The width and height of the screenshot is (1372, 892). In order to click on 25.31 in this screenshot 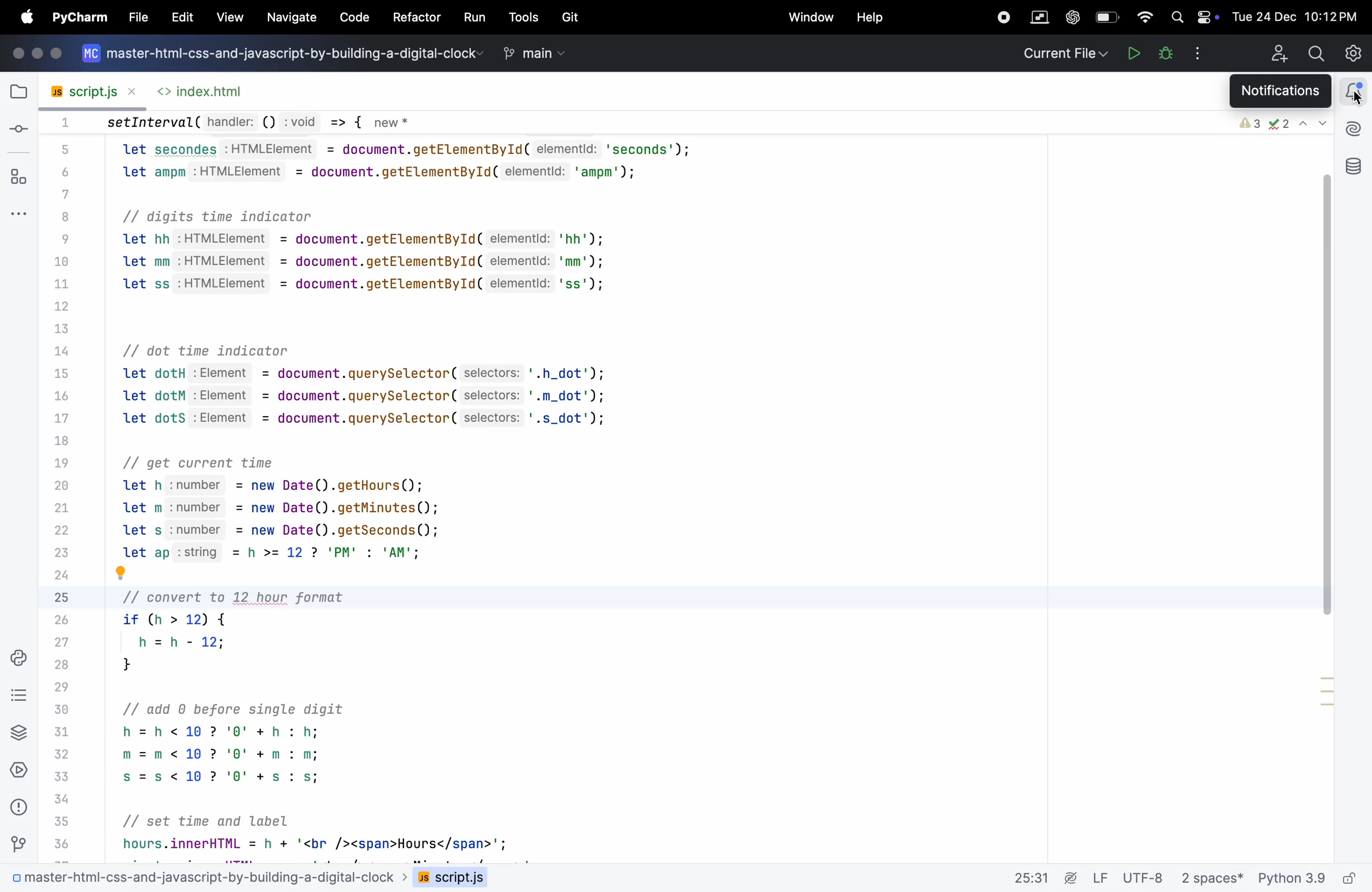, I will do `click(1044, 876)`.